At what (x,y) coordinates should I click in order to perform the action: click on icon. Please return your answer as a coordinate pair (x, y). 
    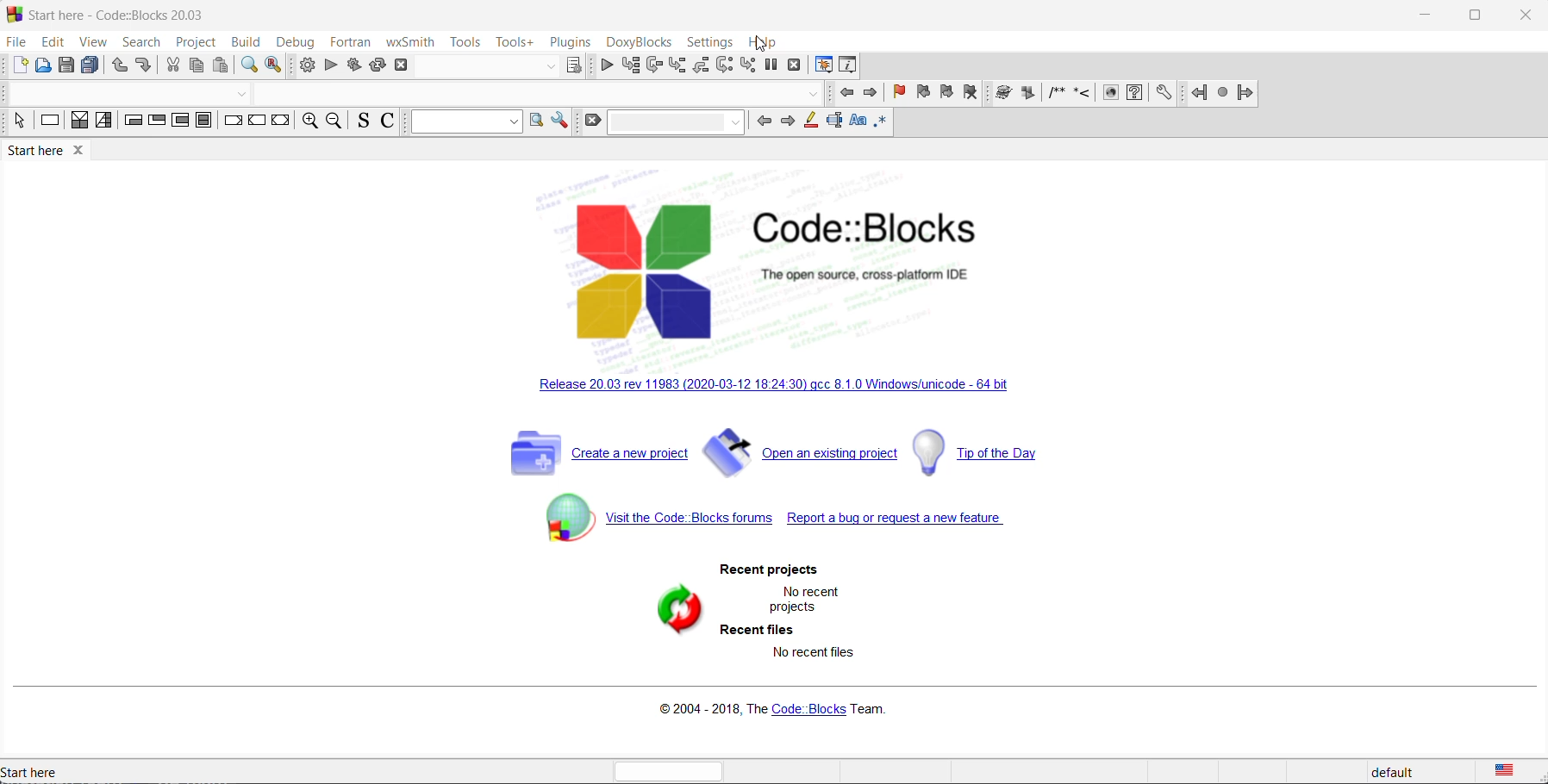
    Looking at the image, I should click on (1003, 94).